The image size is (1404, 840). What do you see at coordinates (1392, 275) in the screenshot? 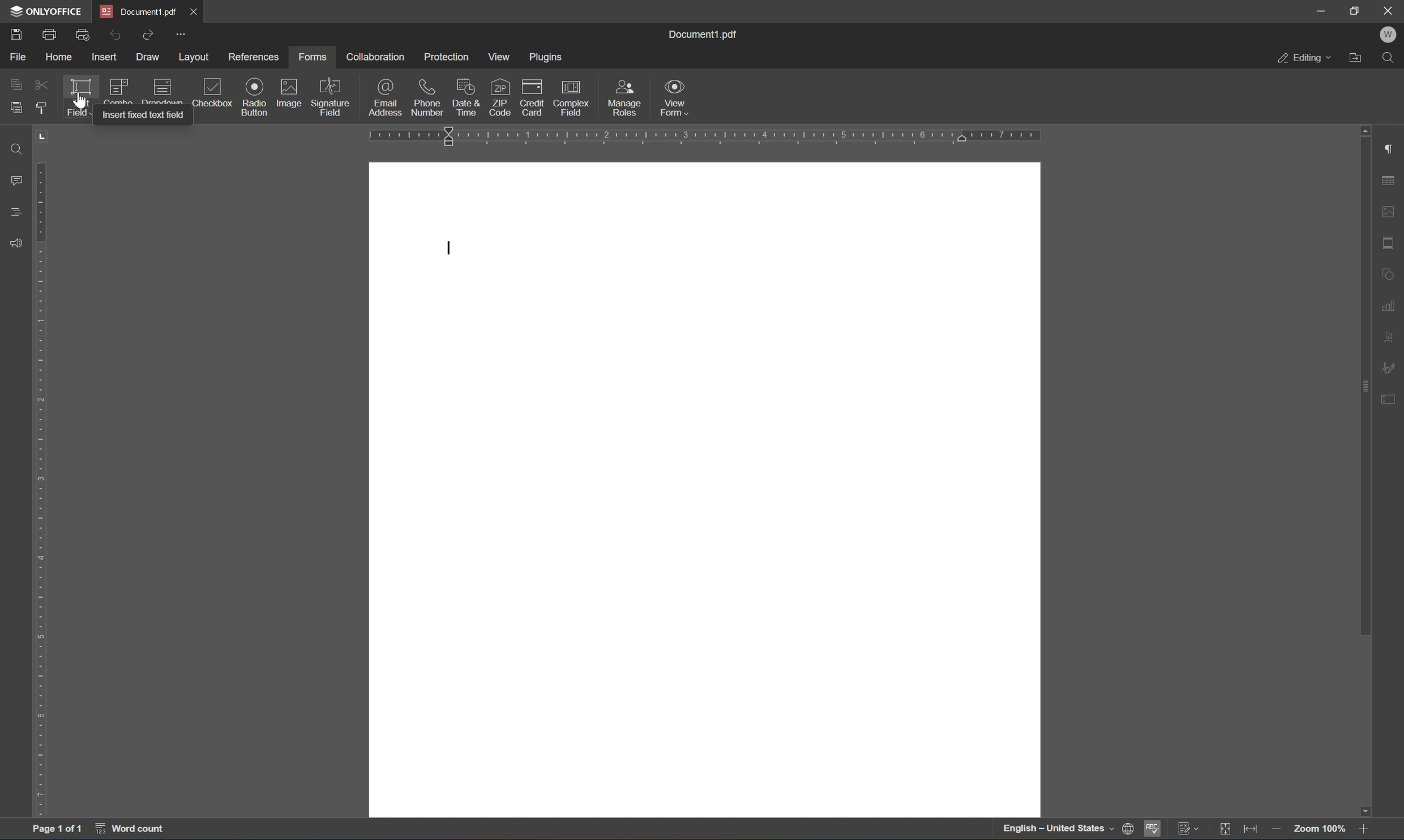
I see `shape settings` at bounding box center [1392, 275].